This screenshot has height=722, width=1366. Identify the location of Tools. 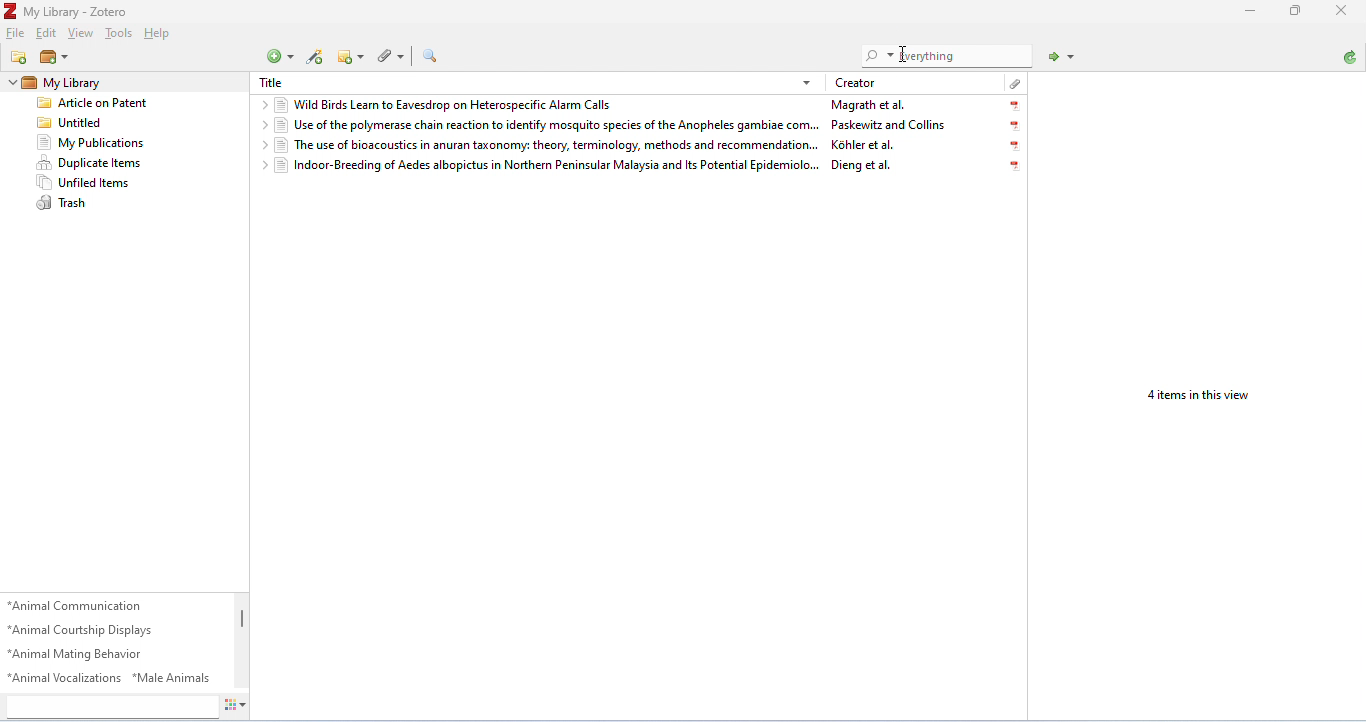
(120, 32).